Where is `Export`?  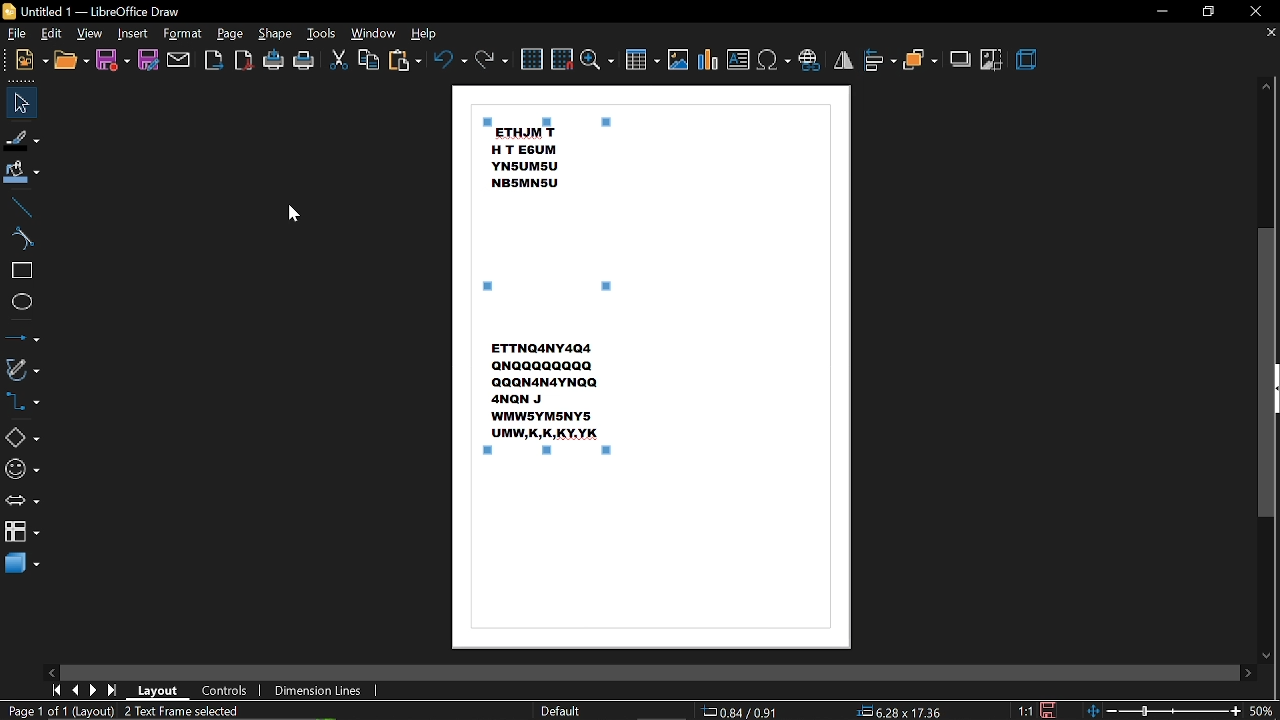 Export is located at coordinates (214, 61).